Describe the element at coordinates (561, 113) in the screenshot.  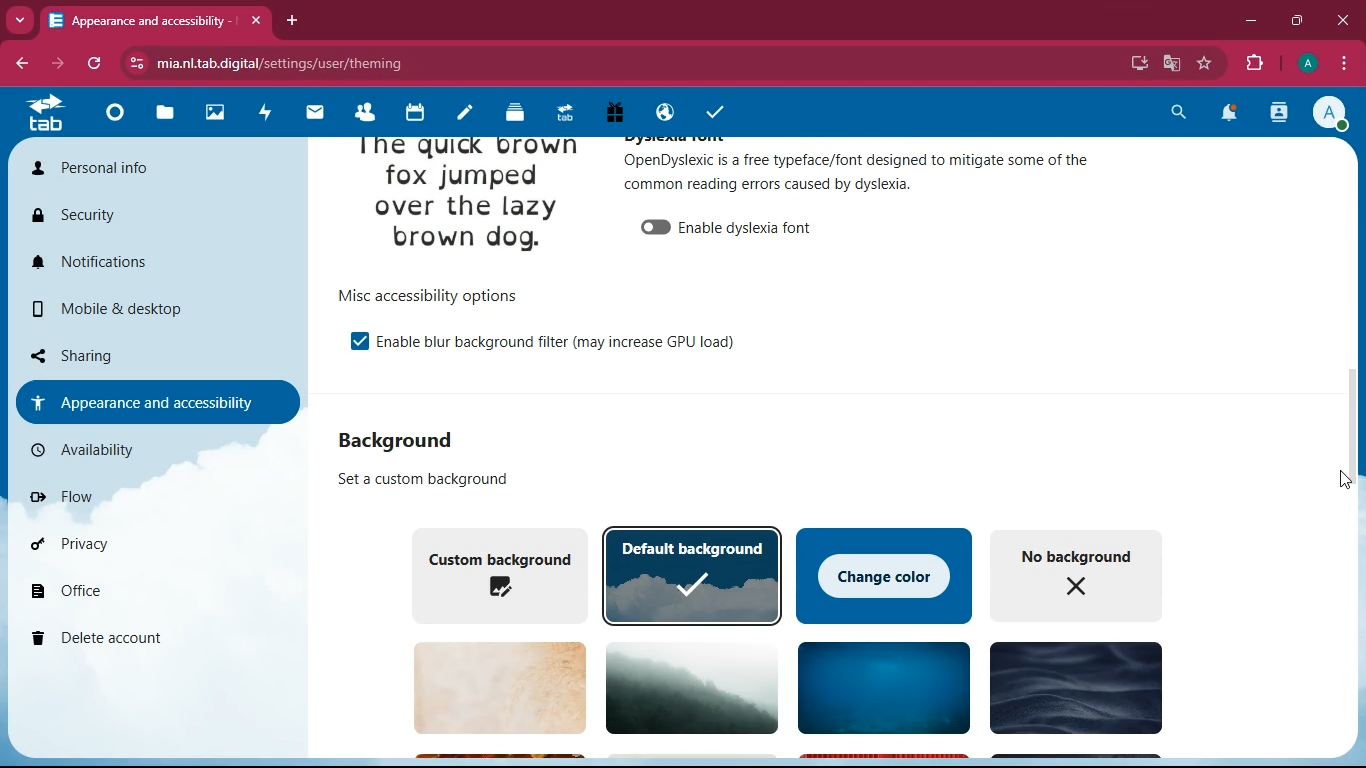
I see `tab` at that location.